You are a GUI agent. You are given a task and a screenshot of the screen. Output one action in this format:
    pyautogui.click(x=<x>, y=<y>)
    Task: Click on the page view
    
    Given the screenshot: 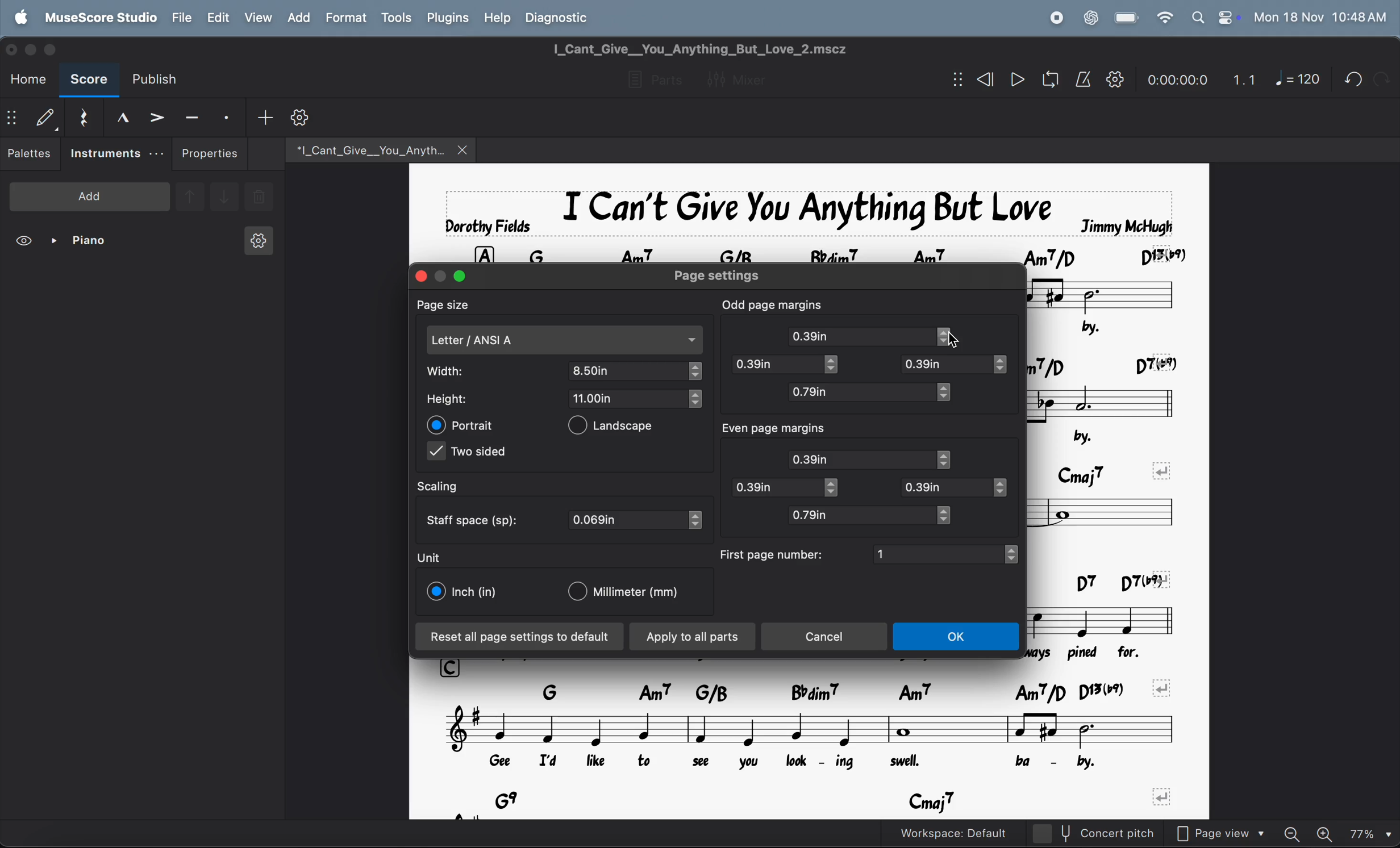 What is the action you would take?
    pyautogui.click(x=1226, y=832)
    